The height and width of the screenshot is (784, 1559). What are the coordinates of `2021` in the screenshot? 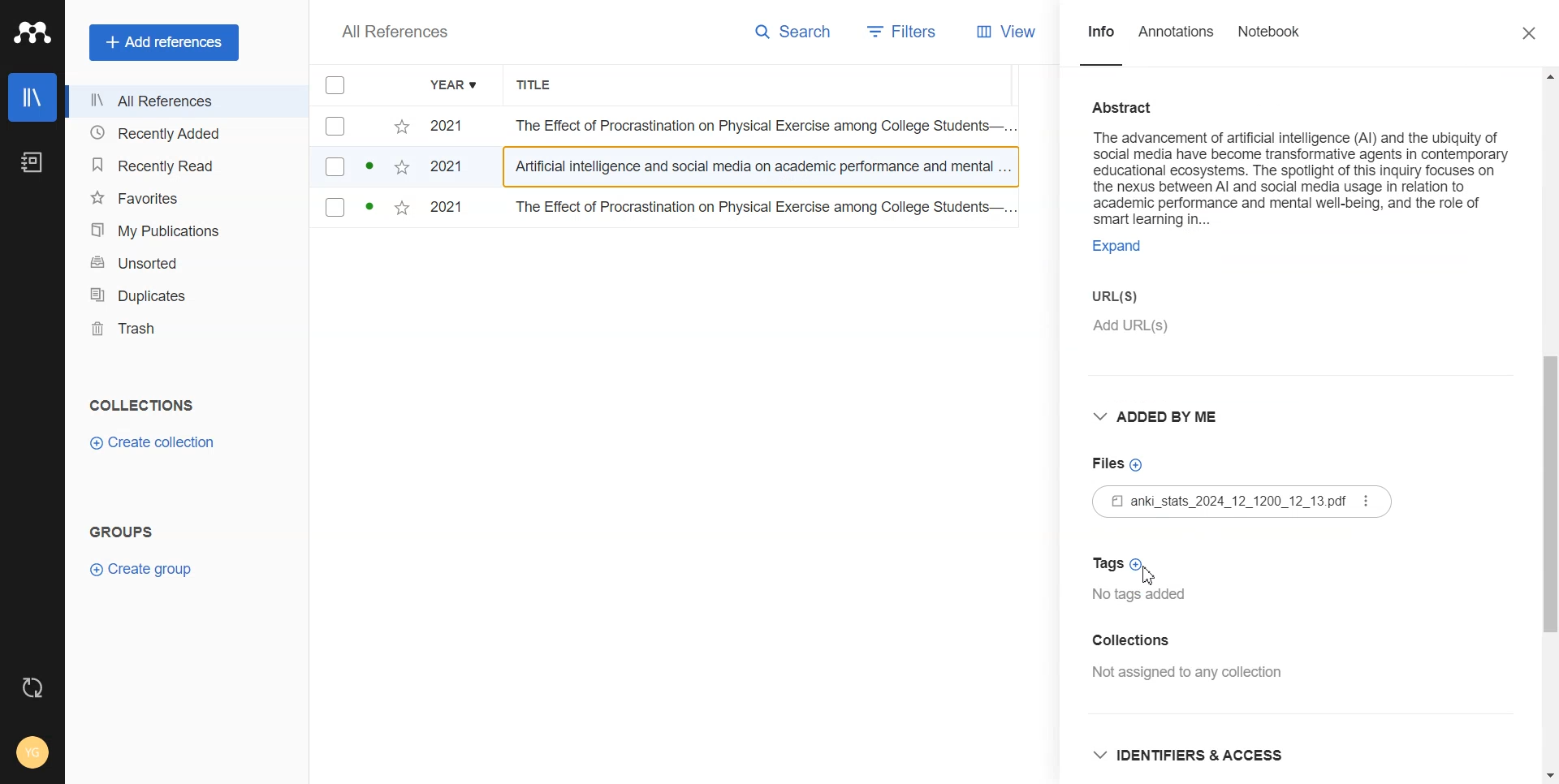 It's located at (452, 127).